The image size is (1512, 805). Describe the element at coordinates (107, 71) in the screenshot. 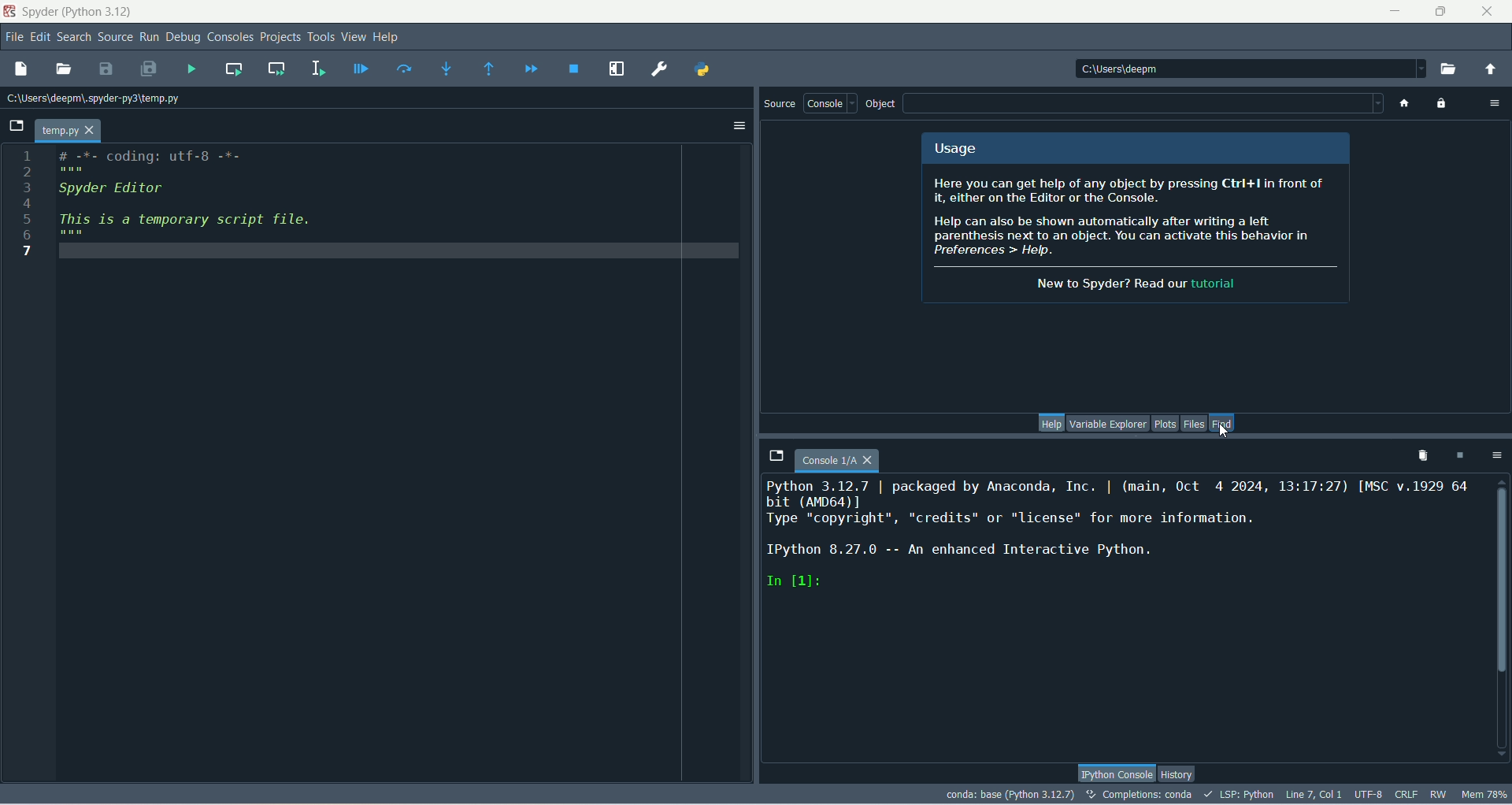

I see `save` at that location.